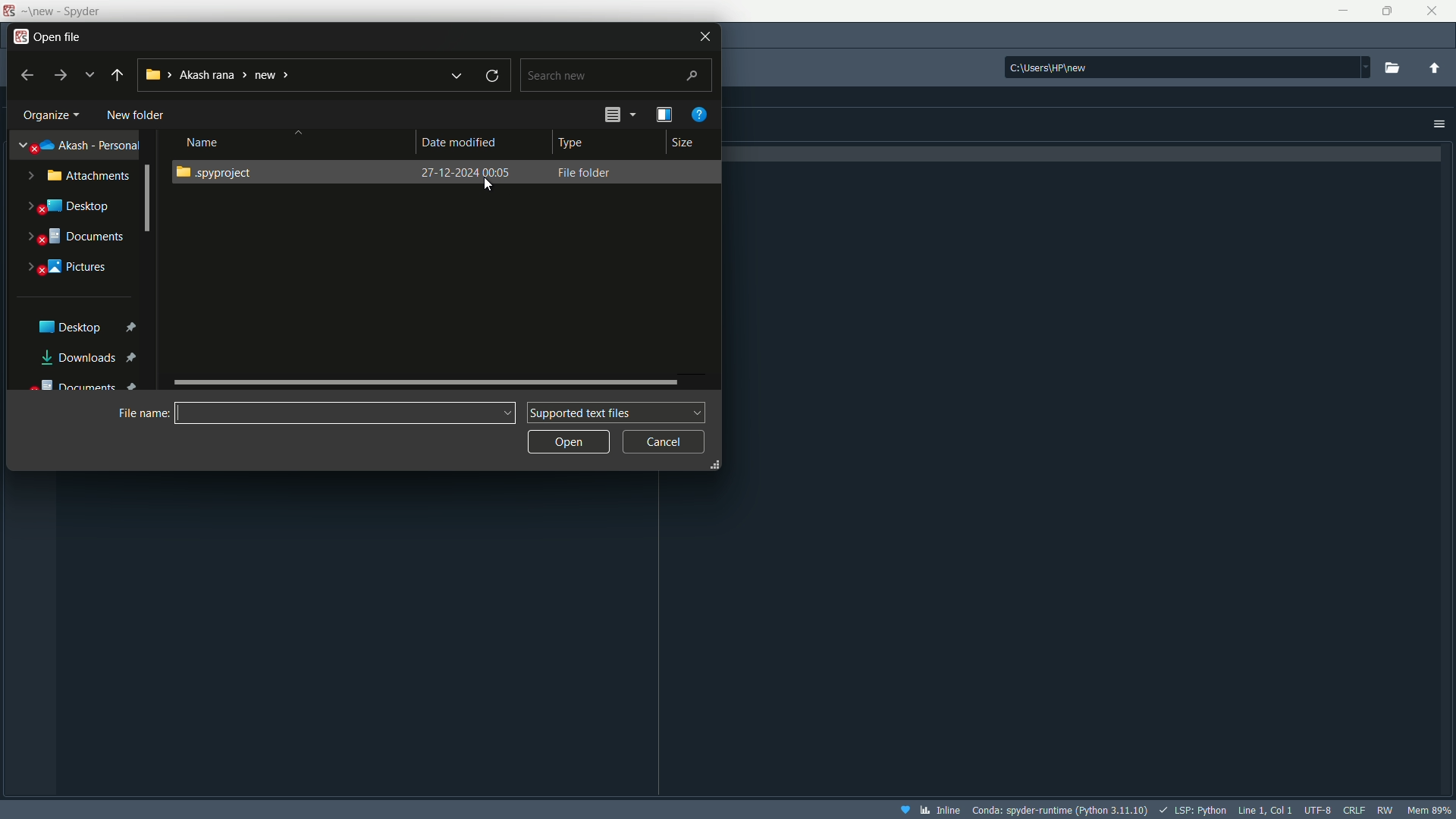 This screenshot has width=1456, height=819. Describe the element at coordinates (700, 114) in the screenshot. I see `get help` at that location.